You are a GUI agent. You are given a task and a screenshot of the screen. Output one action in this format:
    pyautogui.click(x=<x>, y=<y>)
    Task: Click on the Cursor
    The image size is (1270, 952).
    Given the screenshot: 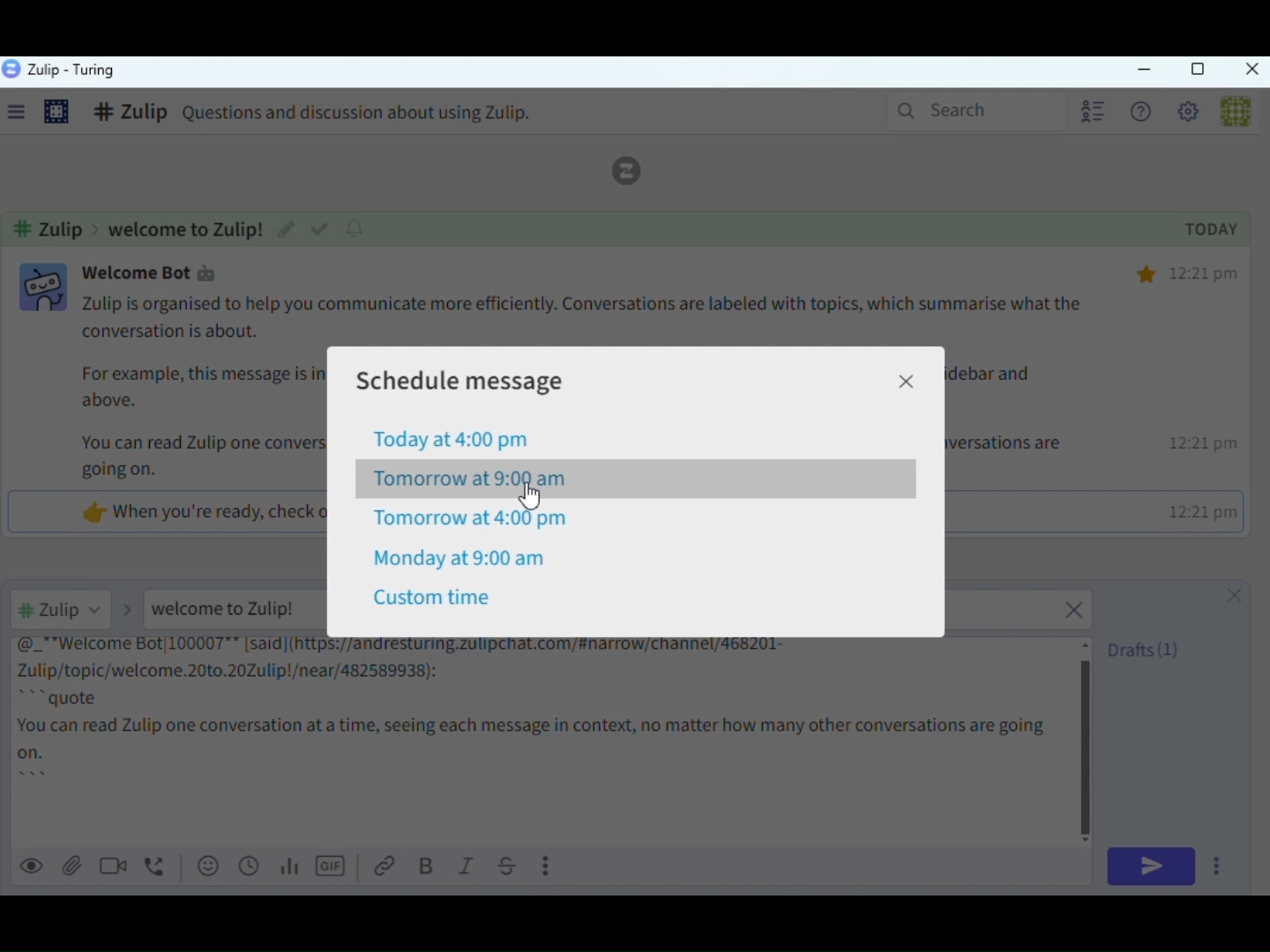 What is the action you would take?
    pyautogui.click(x=532, y=498)
    